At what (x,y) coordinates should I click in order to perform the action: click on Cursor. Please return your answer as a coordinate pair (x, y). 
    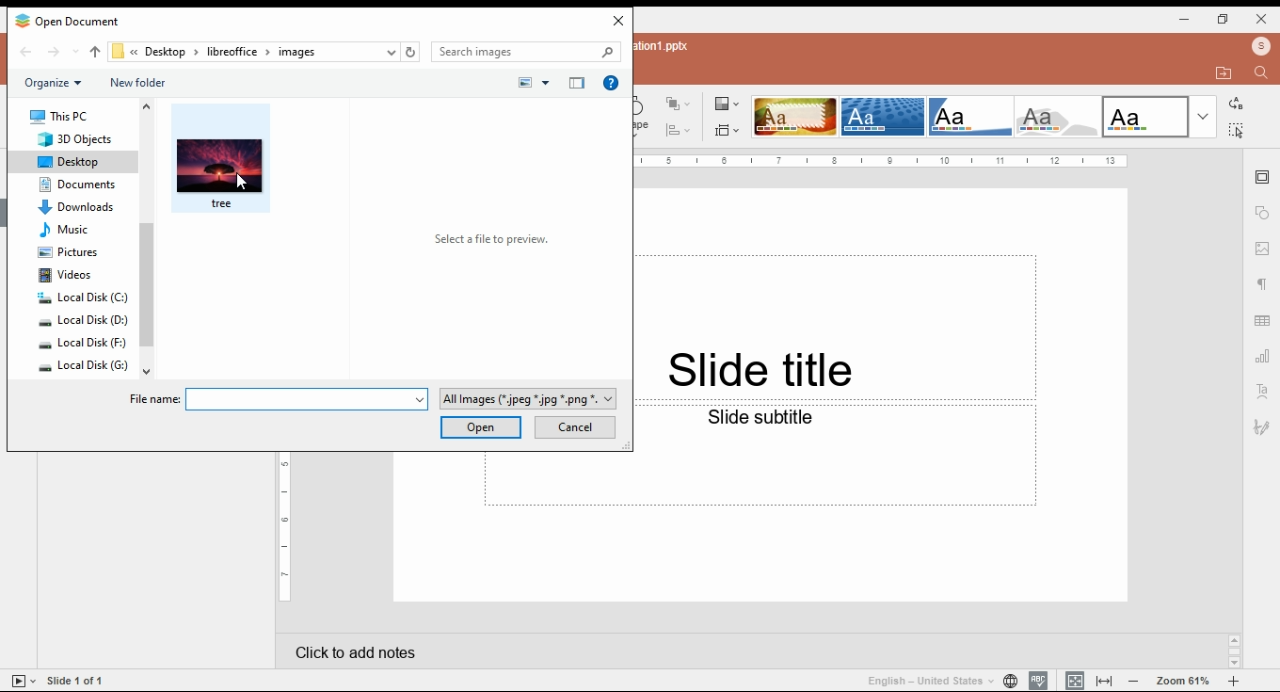
    Looking at the image, I should click on (242, 183).